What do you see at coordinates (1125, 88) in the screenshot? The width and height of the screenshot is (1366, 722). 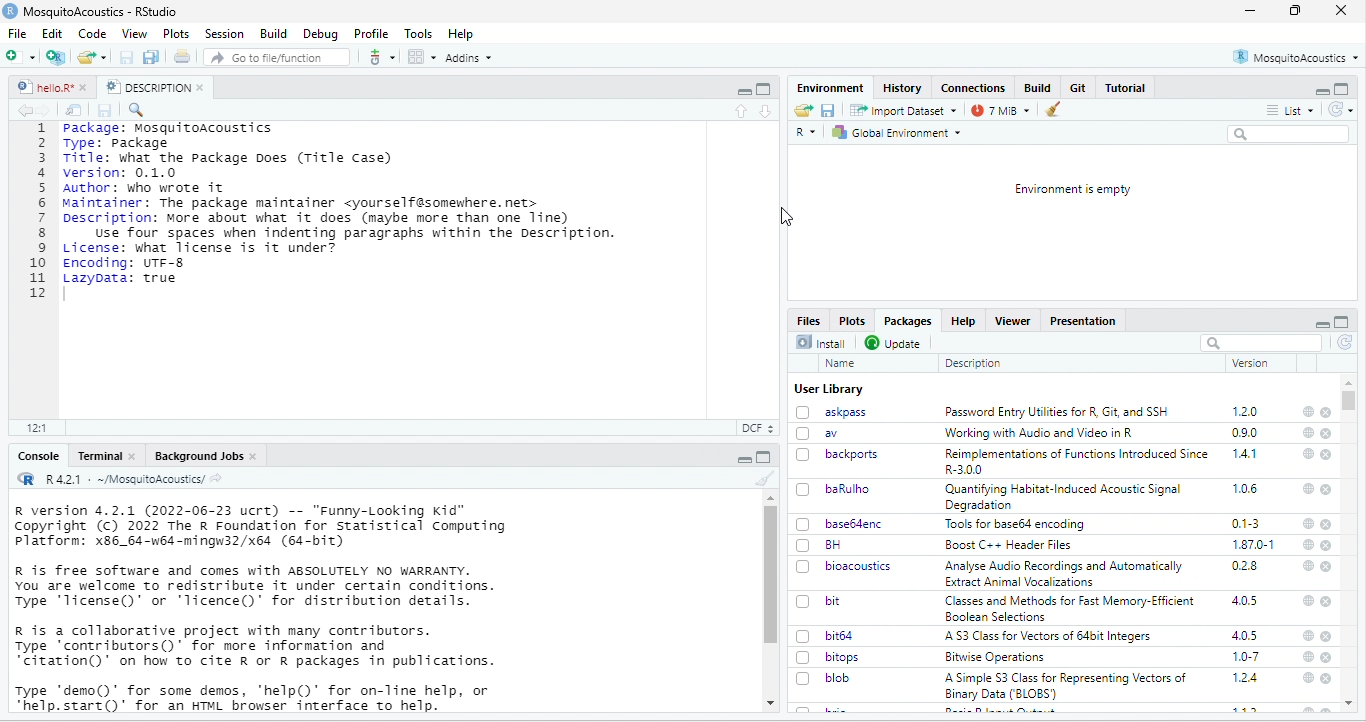 I see `Tutorial` at bounding box center [1125, 88].